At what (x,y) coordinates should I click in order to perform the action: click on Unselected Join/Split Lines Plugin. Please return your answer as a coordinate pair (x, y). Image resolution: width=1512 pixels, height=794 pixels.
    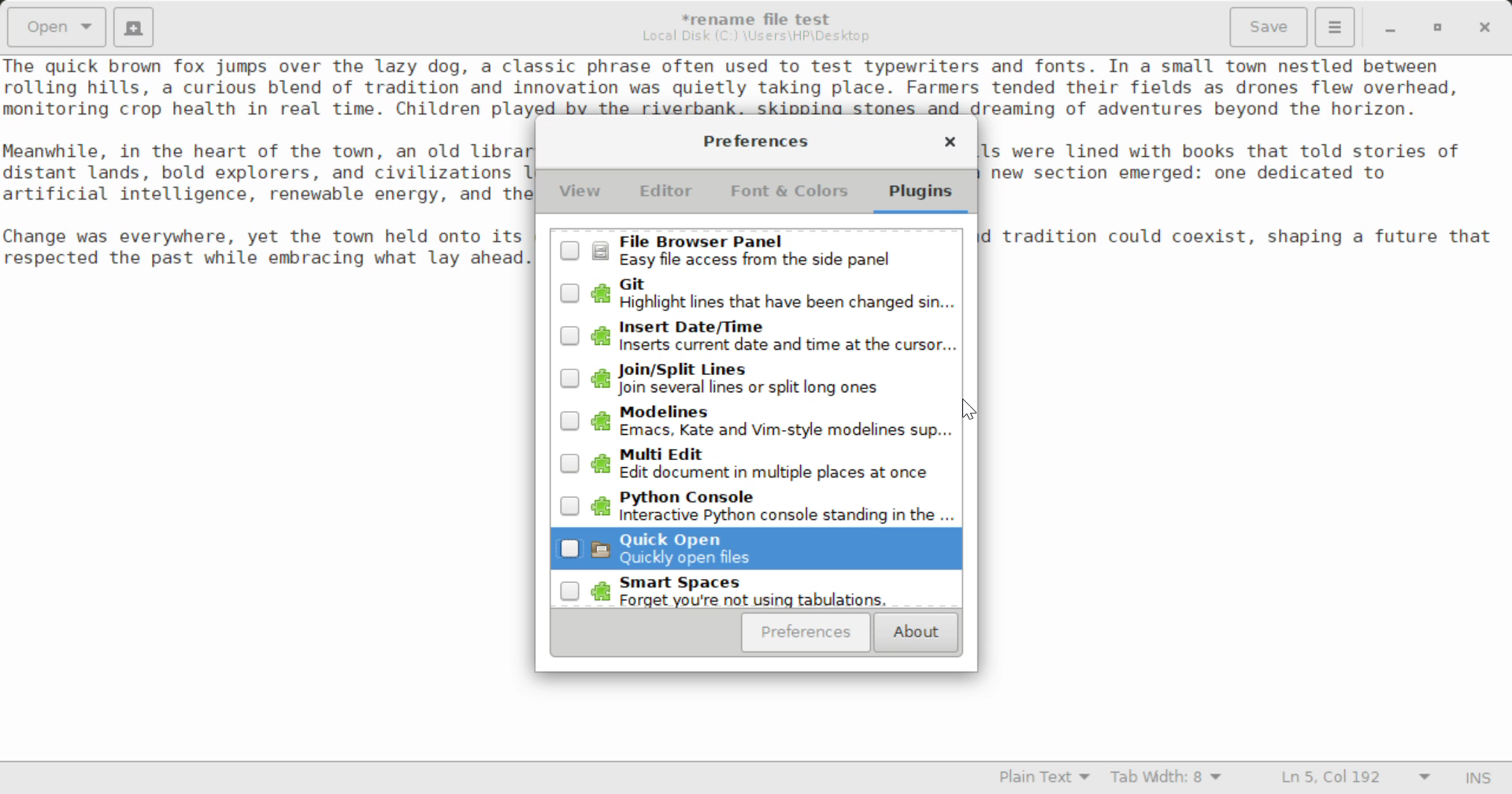
    Looking at the image, I should click on (756, 379).